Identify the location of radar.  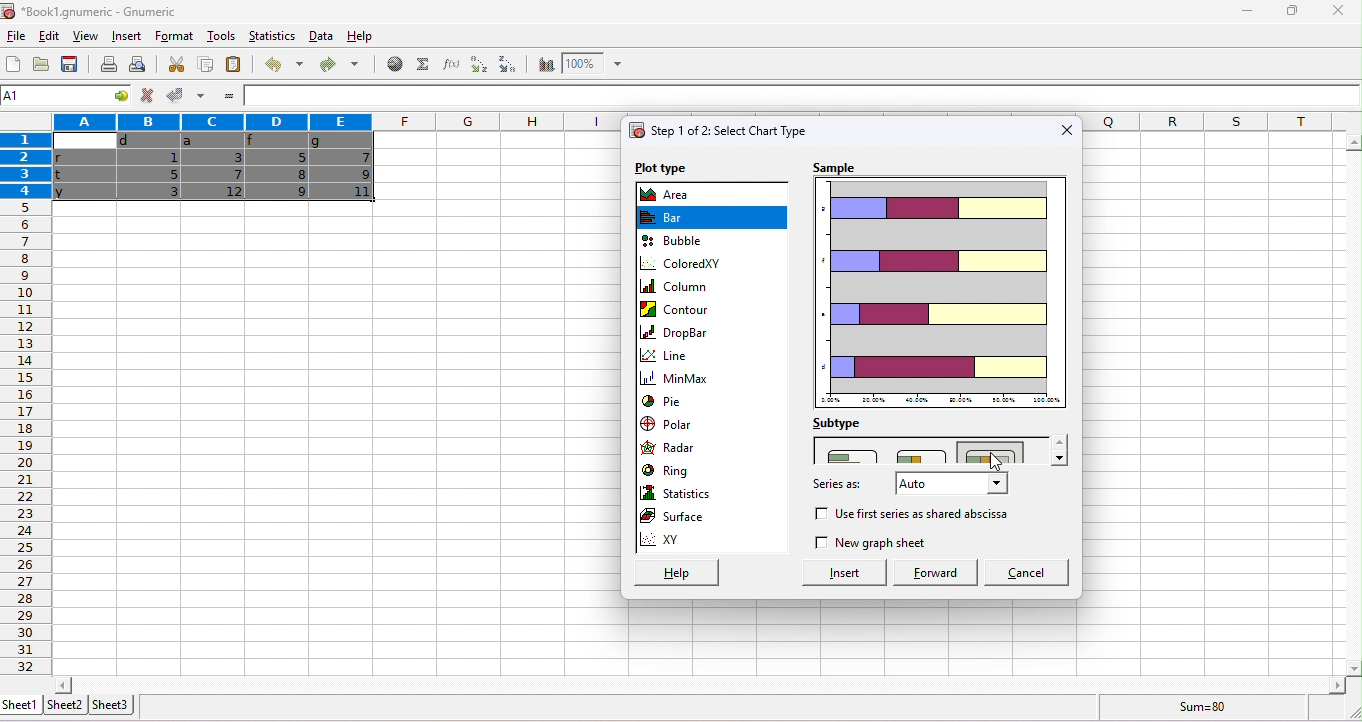
(672, 450).